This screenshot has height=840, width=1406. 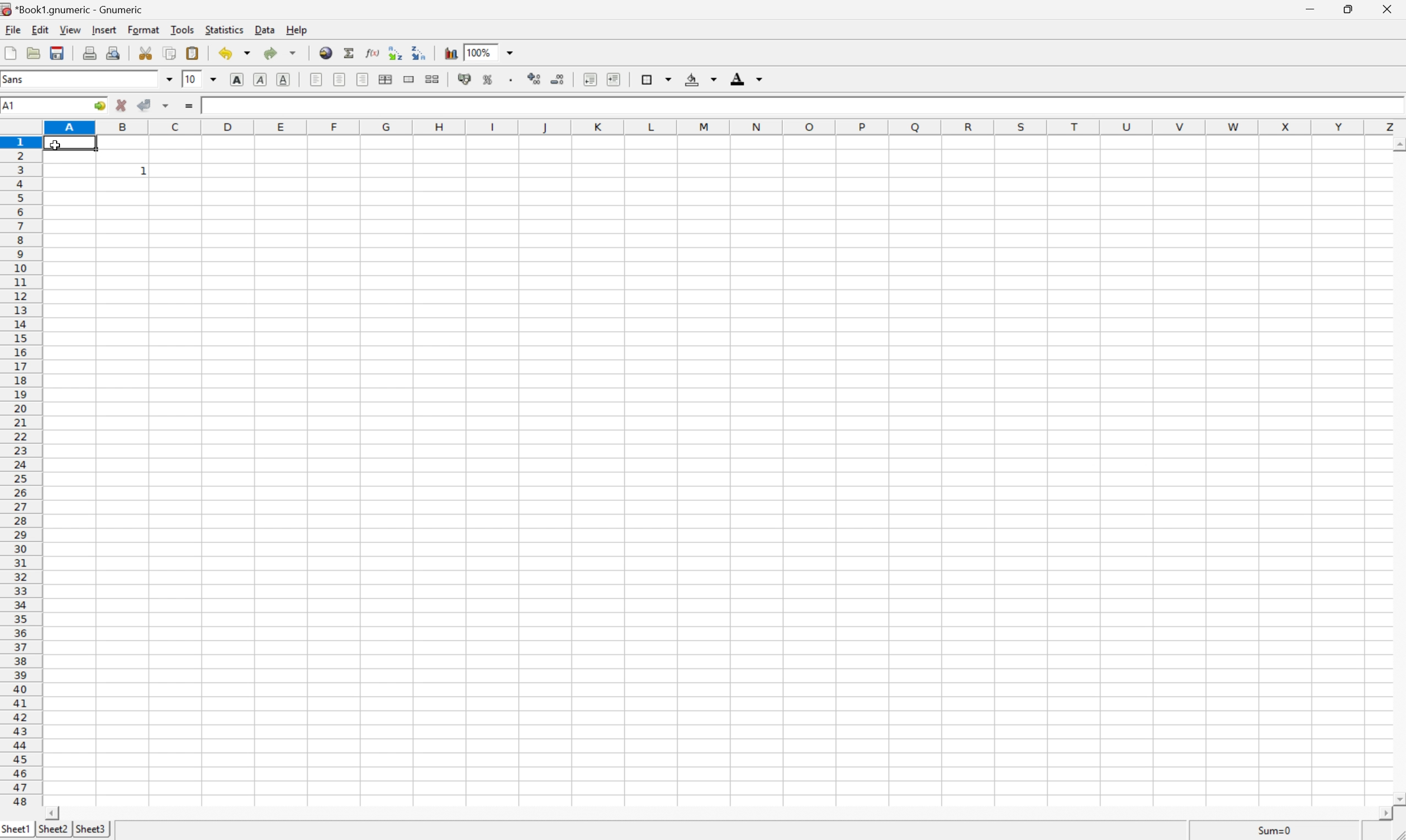 I want to click on foreground, so click(x=746, y=79).